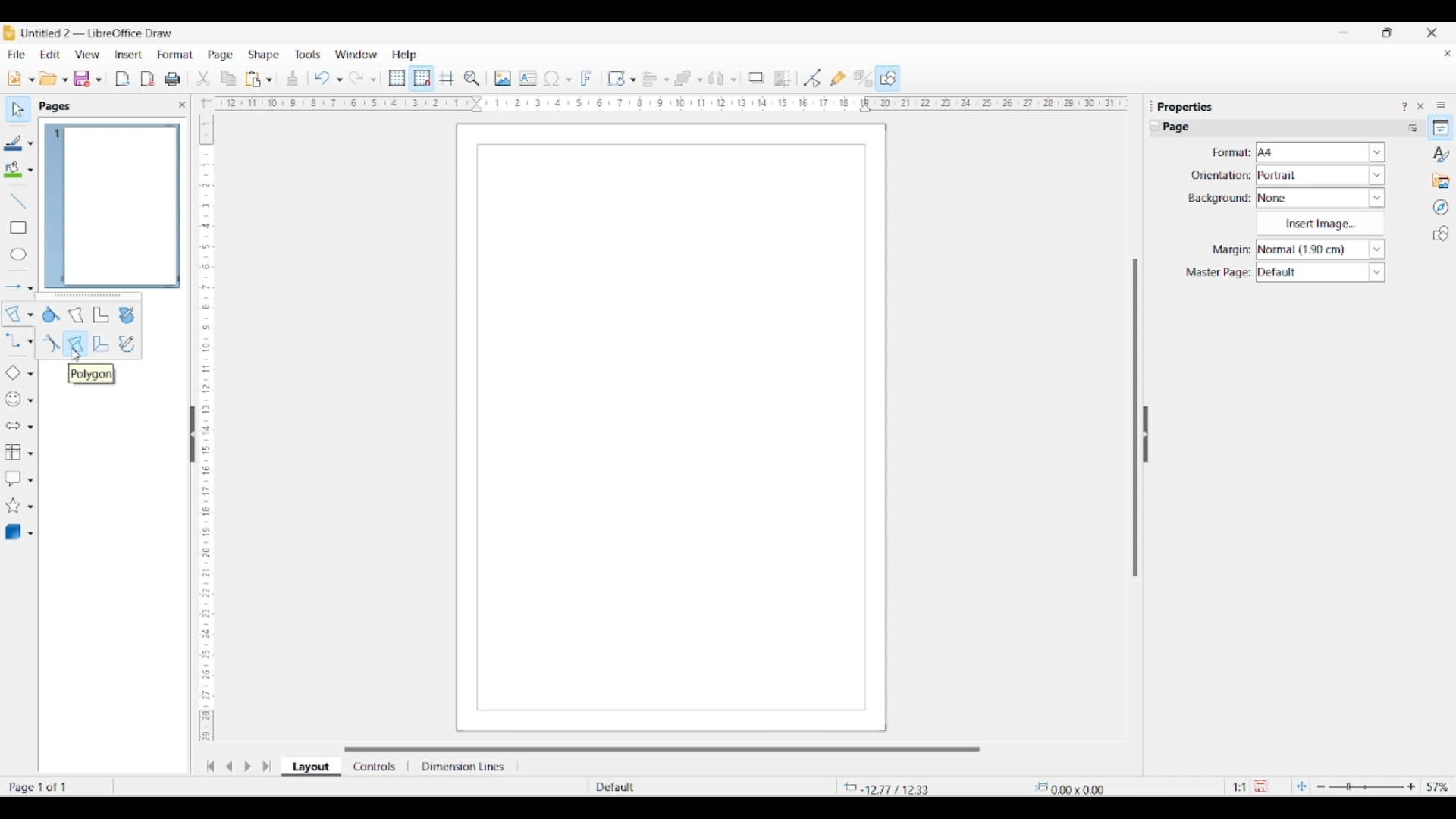 The image size is (1456, 819). What do you see at coordinates (91, 374) in the screenshot?
I see `Icon description` at bounding box center [91, 374].